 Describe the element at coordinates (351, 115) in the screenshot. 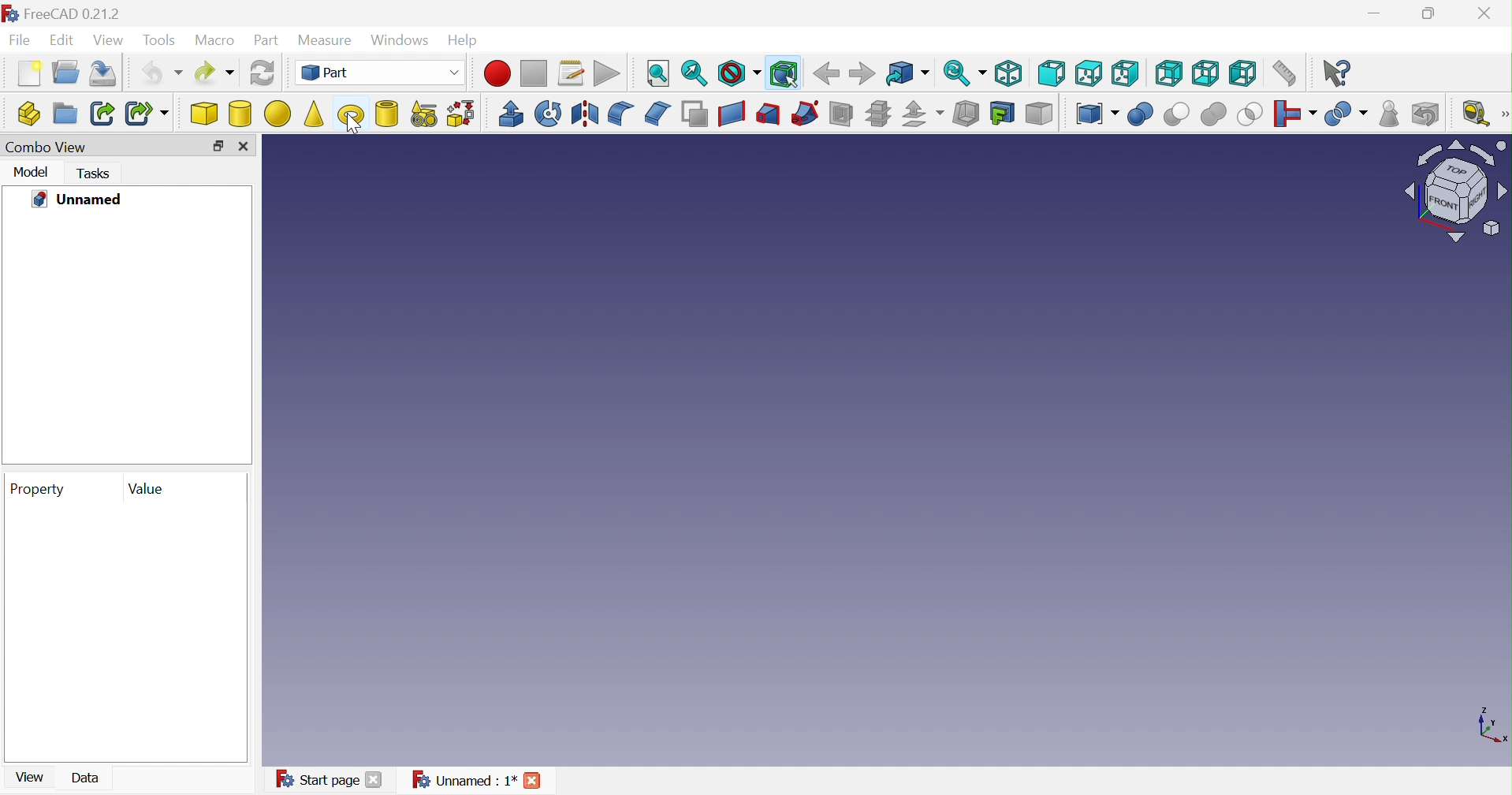

I see `Torus` at that location.